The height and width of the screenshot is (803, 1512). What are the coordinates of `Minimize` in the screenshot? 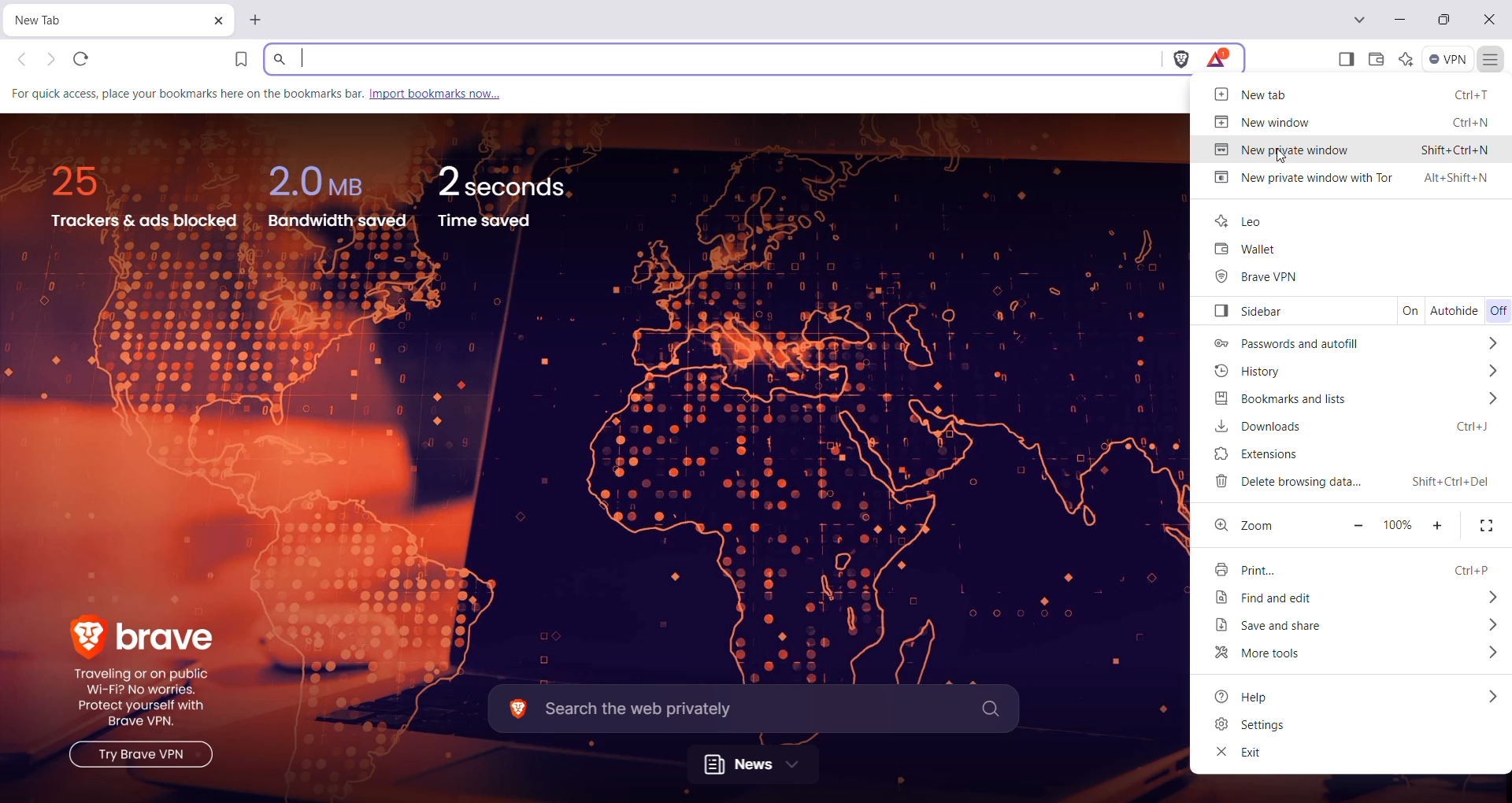 It's located at (1400, 19).